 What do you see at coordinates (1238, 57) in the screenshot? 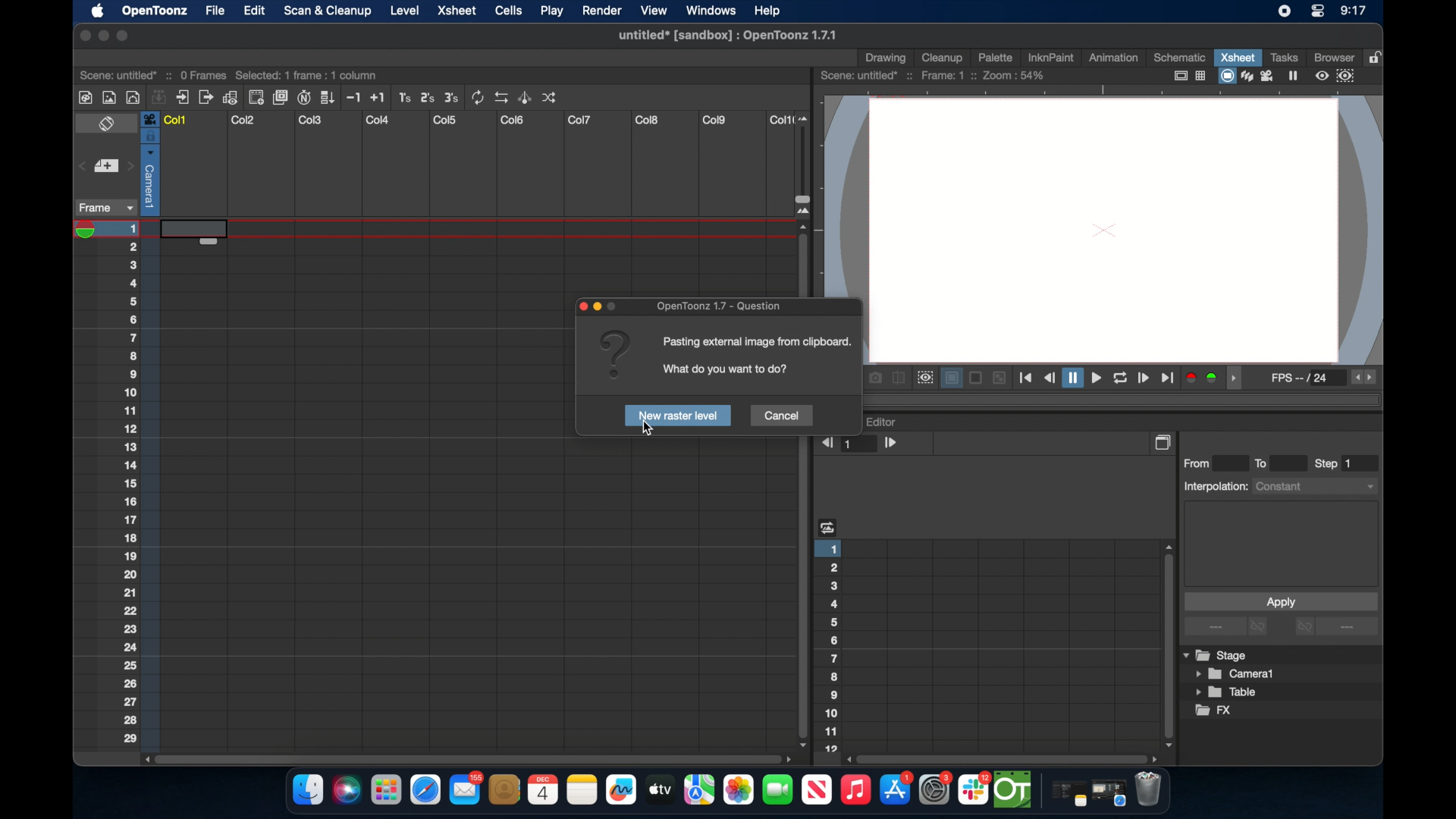
I see `xsheet` at bounding box center [1238, 57].